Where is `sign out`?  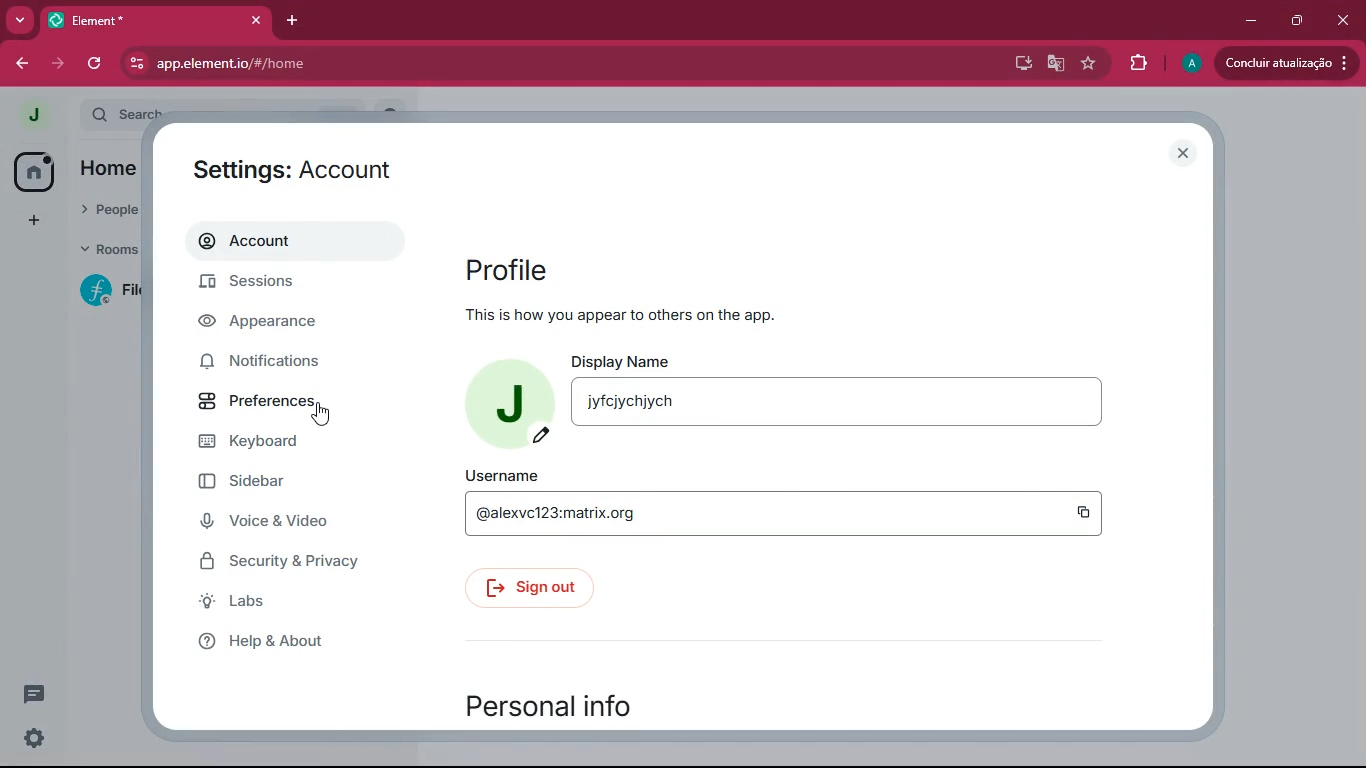
sign out is located at coordinates (536, 588).